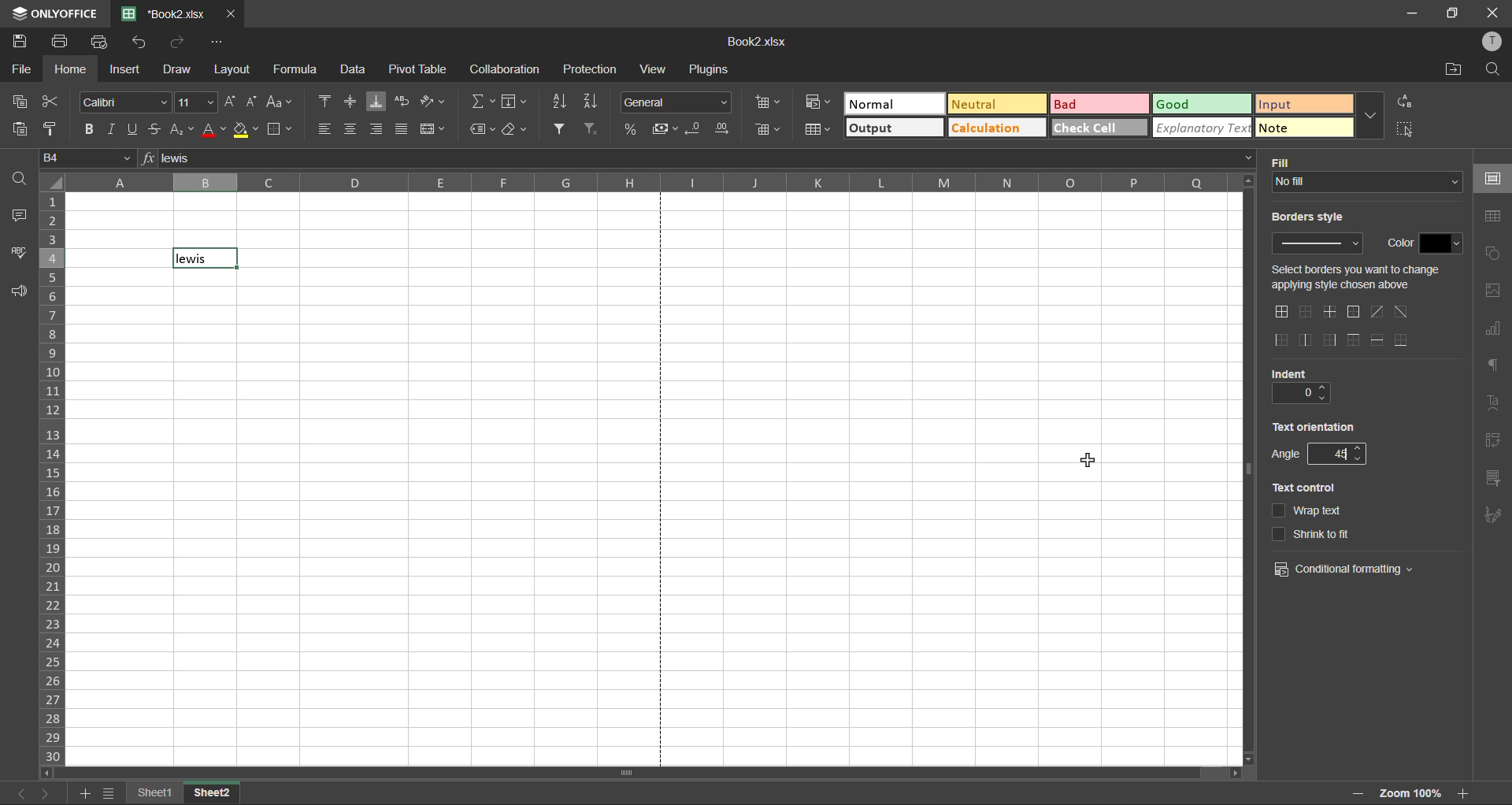 Image resolution: width=1512 pixels, height=805 pixels. Describe the element at coordinates (1327, 399) in the screenshot. I see `decrease indent` at that location.